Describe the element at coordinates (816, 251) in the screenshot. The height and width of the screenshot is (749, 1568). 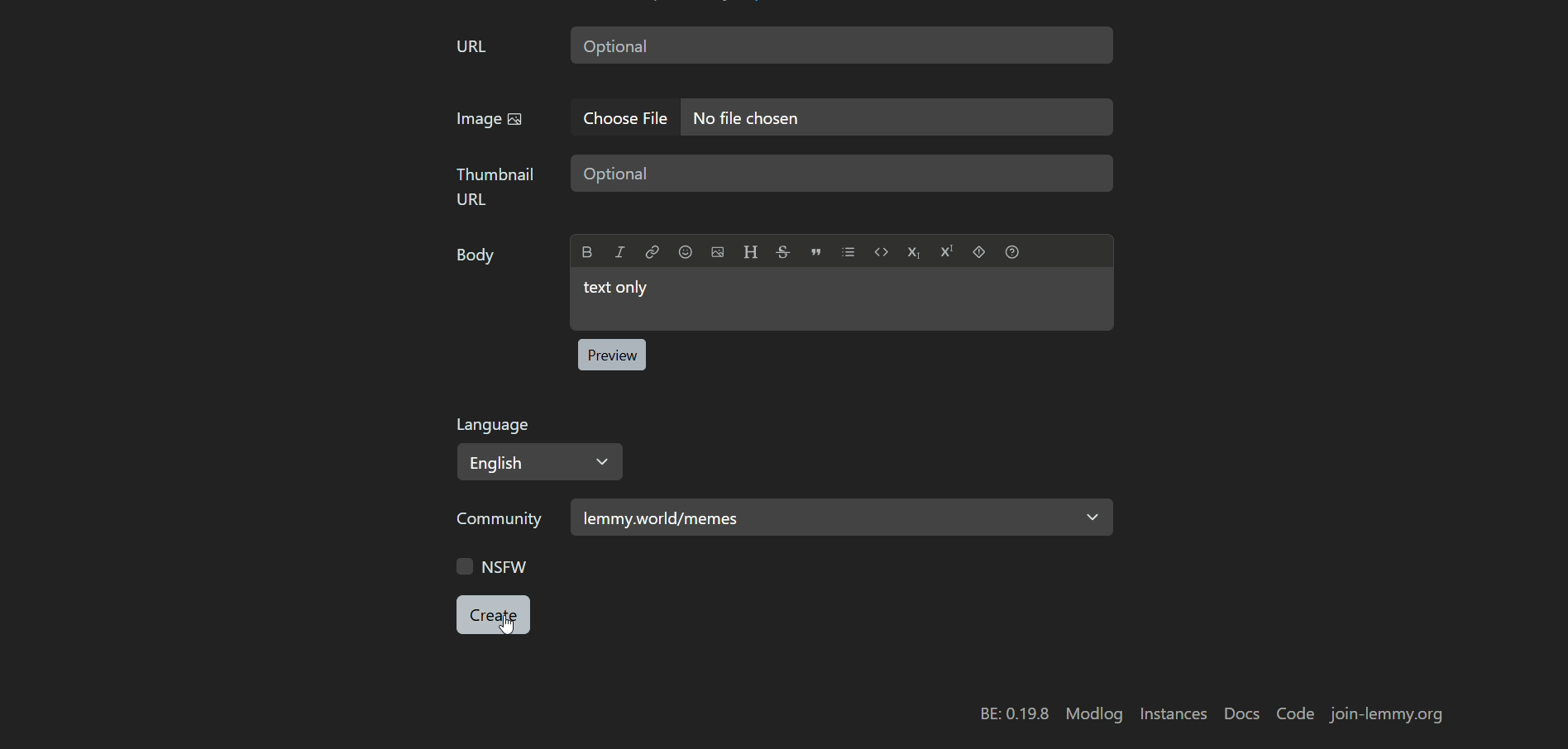
I see `Quote` at that location.